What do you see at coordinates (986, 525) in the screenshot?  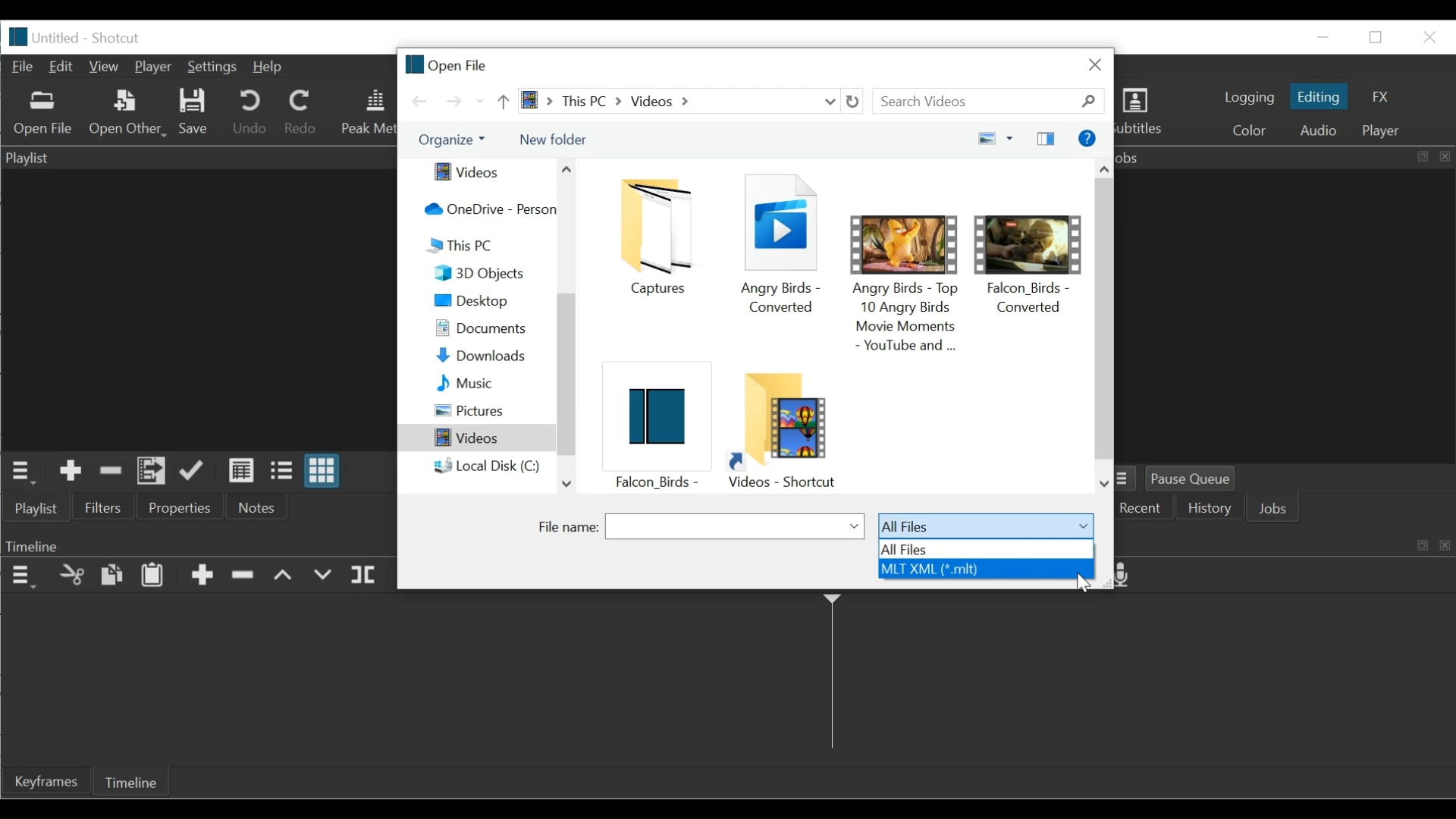 I see `All files` at bounding box center [986, 525].